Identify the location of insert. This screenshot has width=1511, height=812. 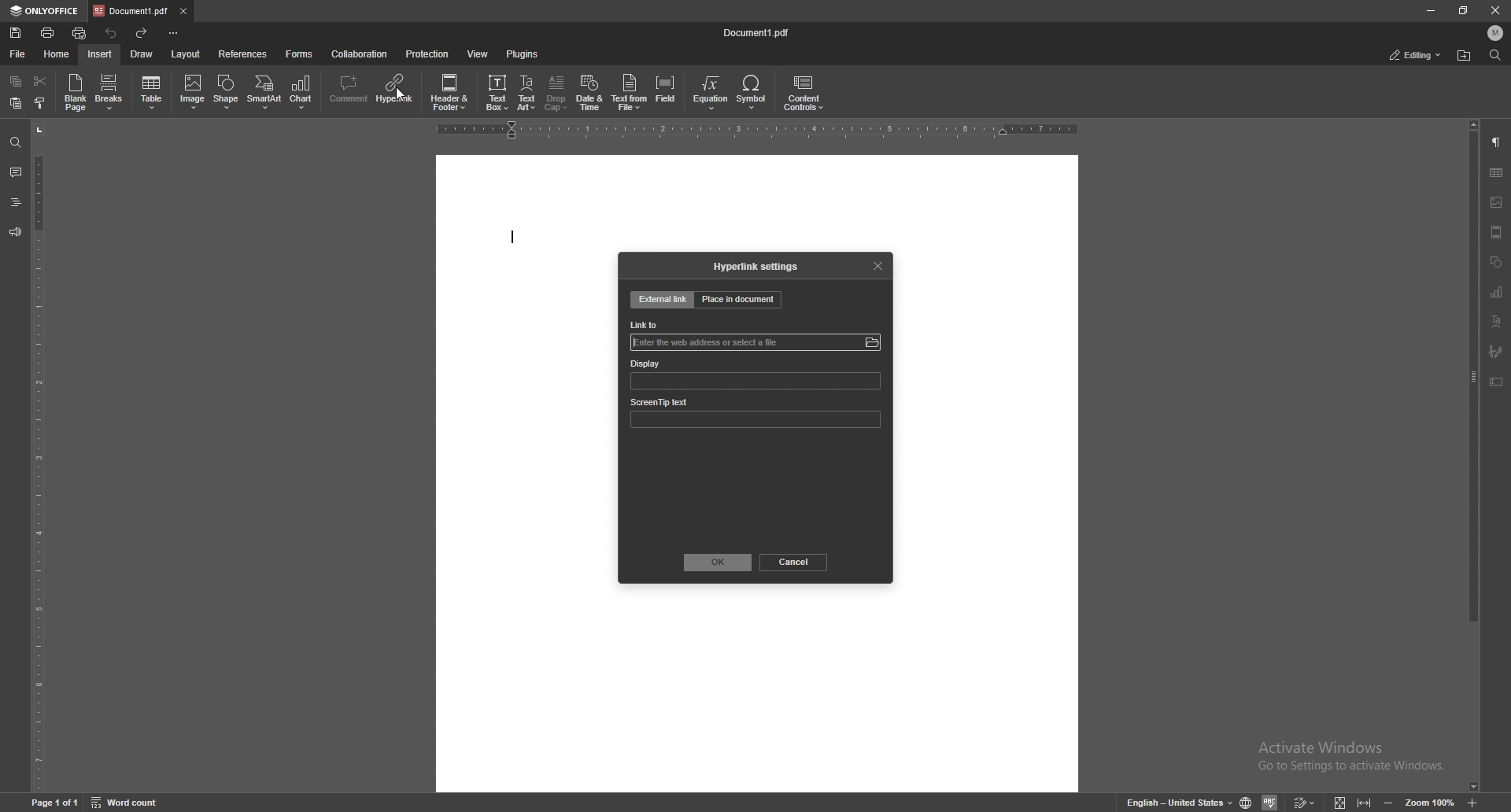
(102, 54).